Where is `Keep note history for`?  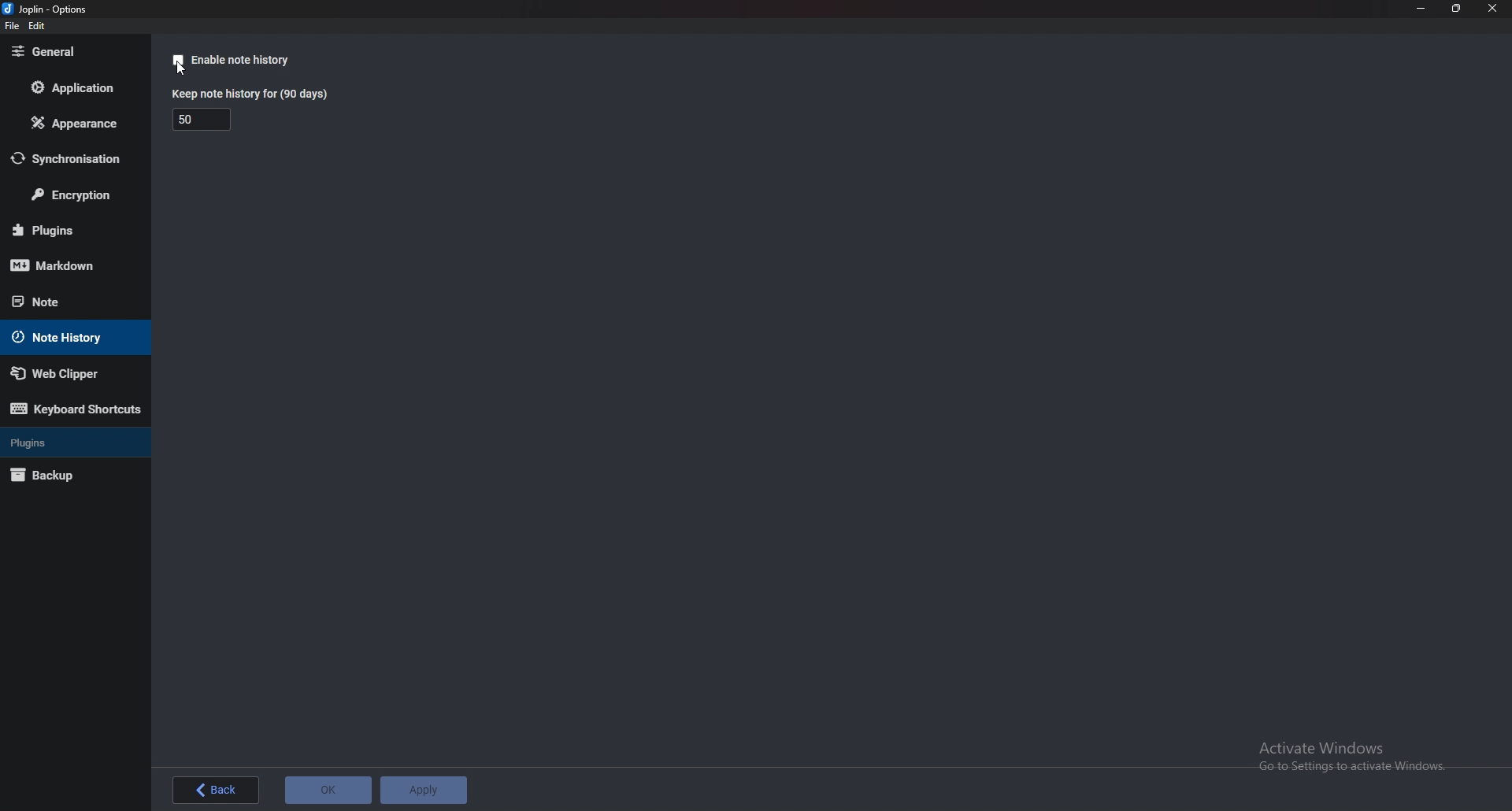
Keep note history for is located at coordinates (254, 94).